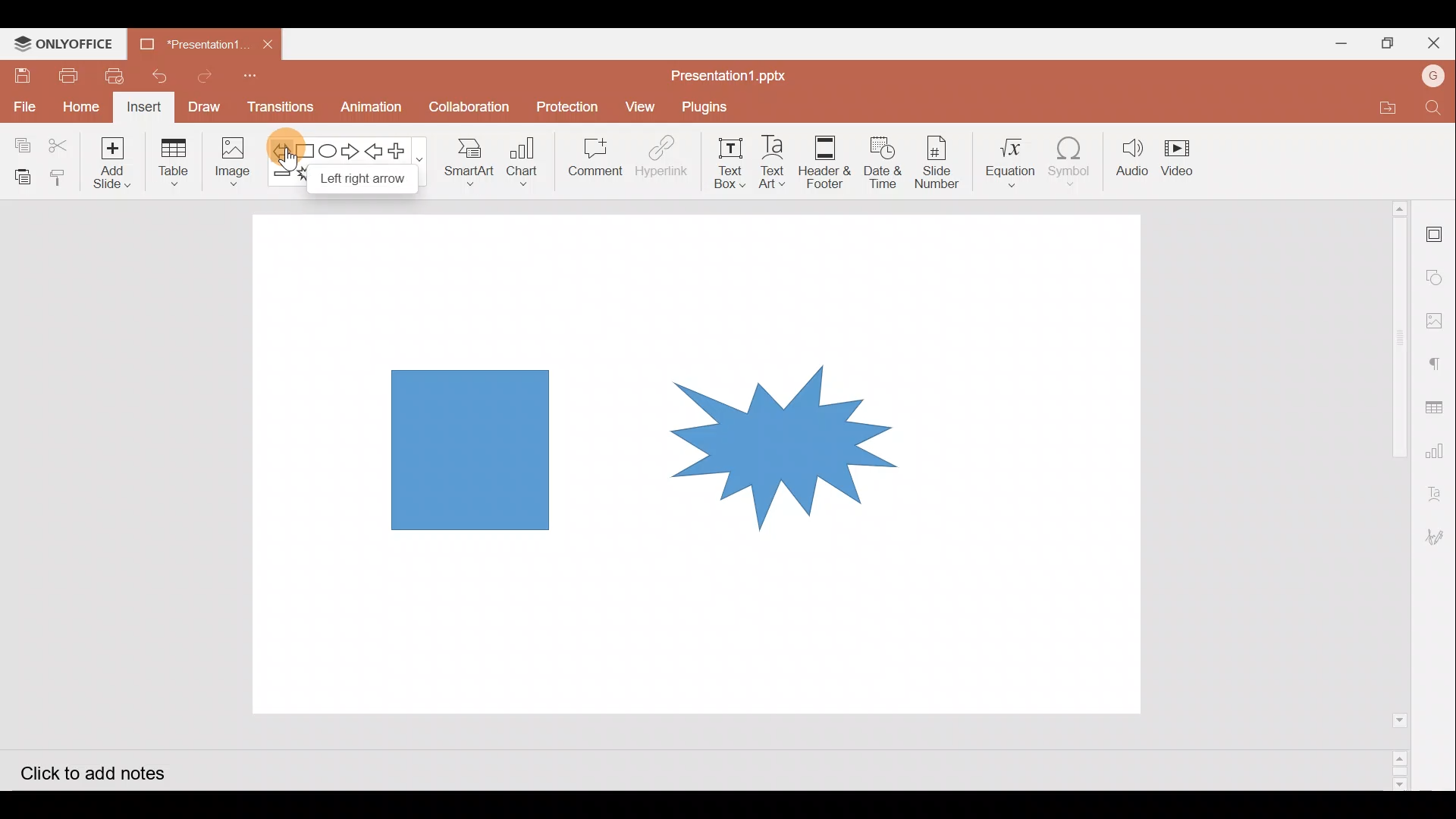 The width and height of the screenshot is (1456, 819). I want to click on Header & footer, so click(828, 162).